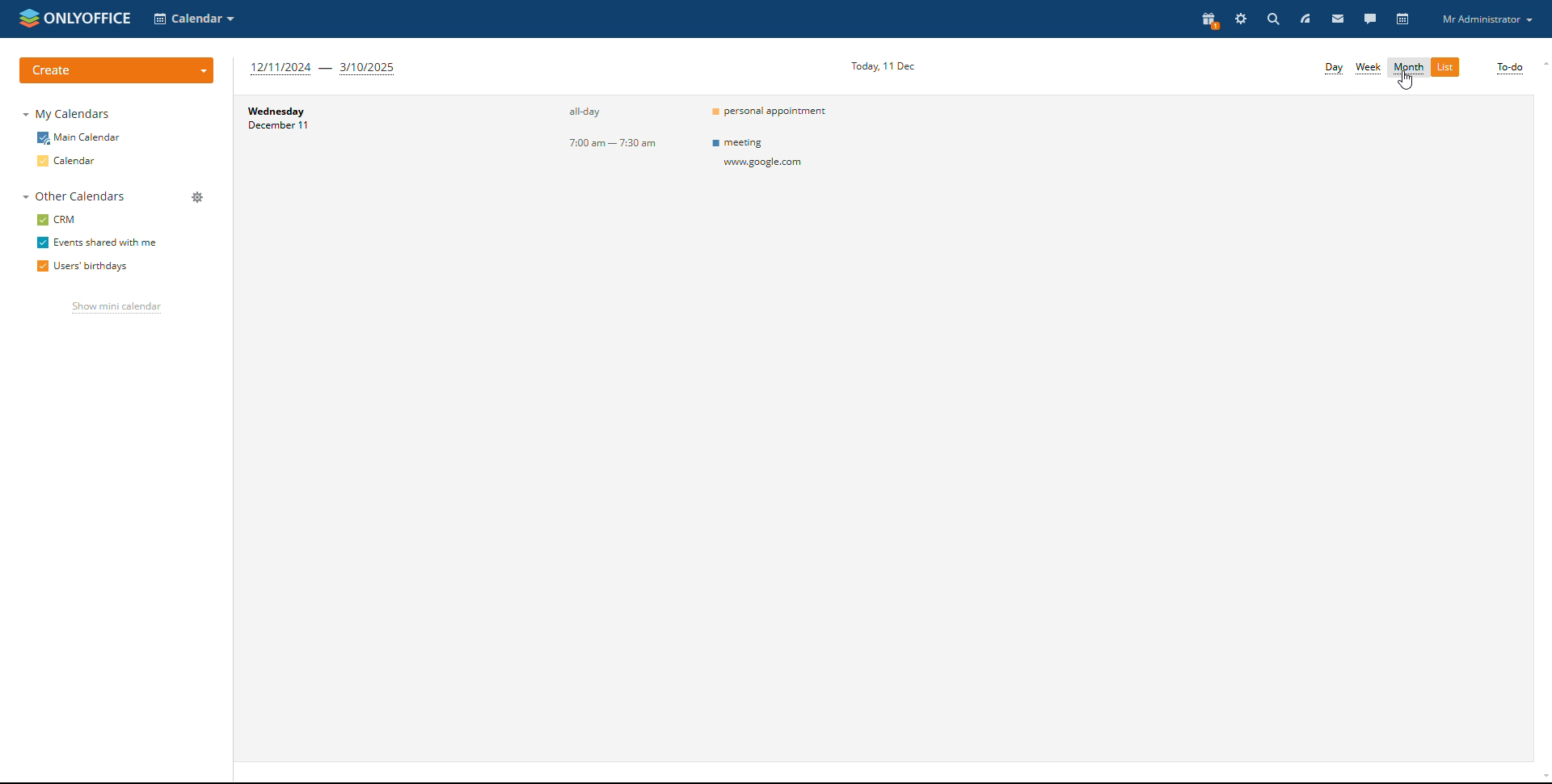  What do you see at coordinates (1241, 18) in the screenshot?
I see `settings` at bounding box center [1241, 18].